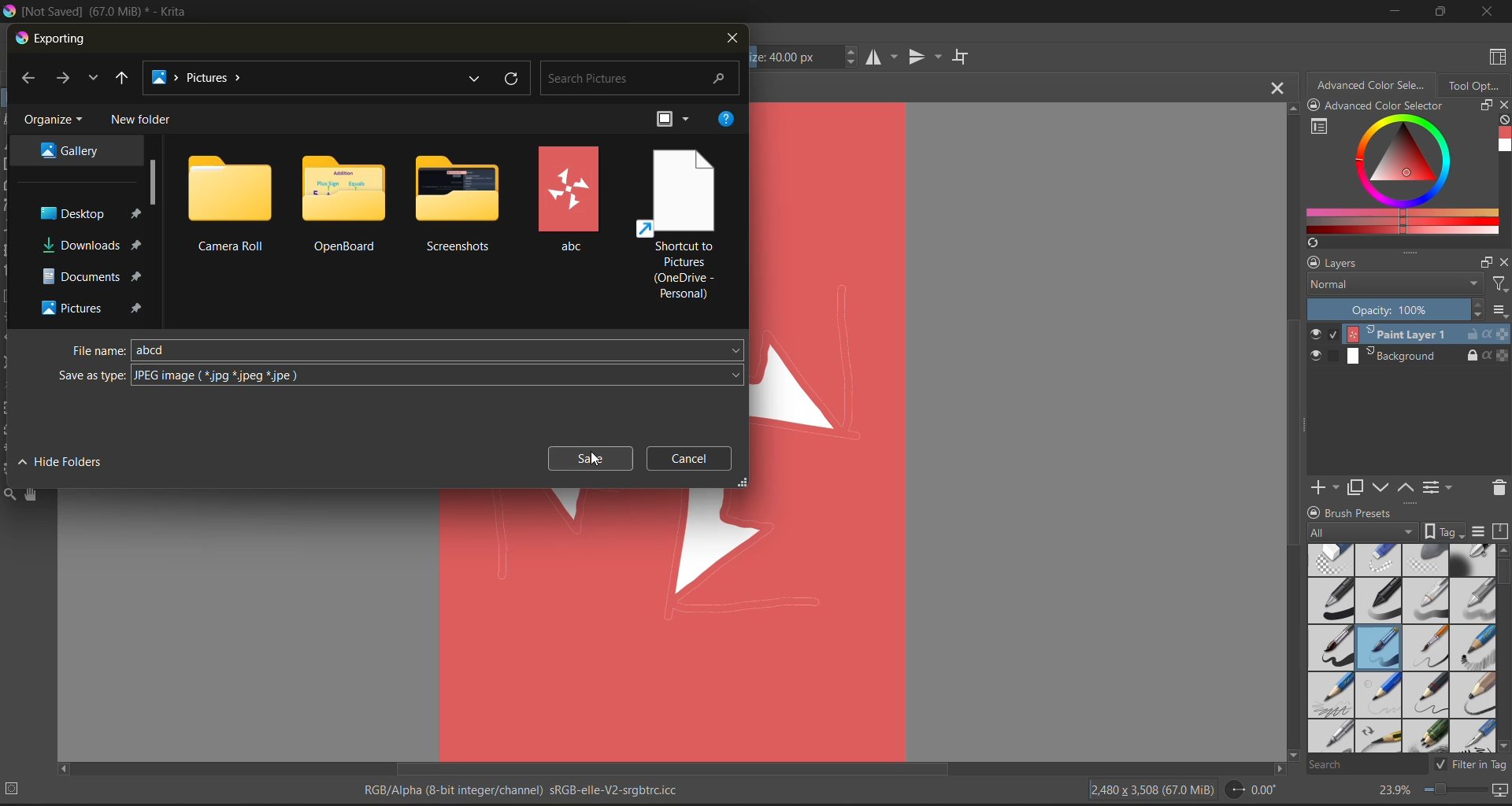 The height and width of the screenshot is (806, 1512). What do you see at coordinates (1389, 531) in the screenshot?
I see `tag` at bounding box center [1389, 531].